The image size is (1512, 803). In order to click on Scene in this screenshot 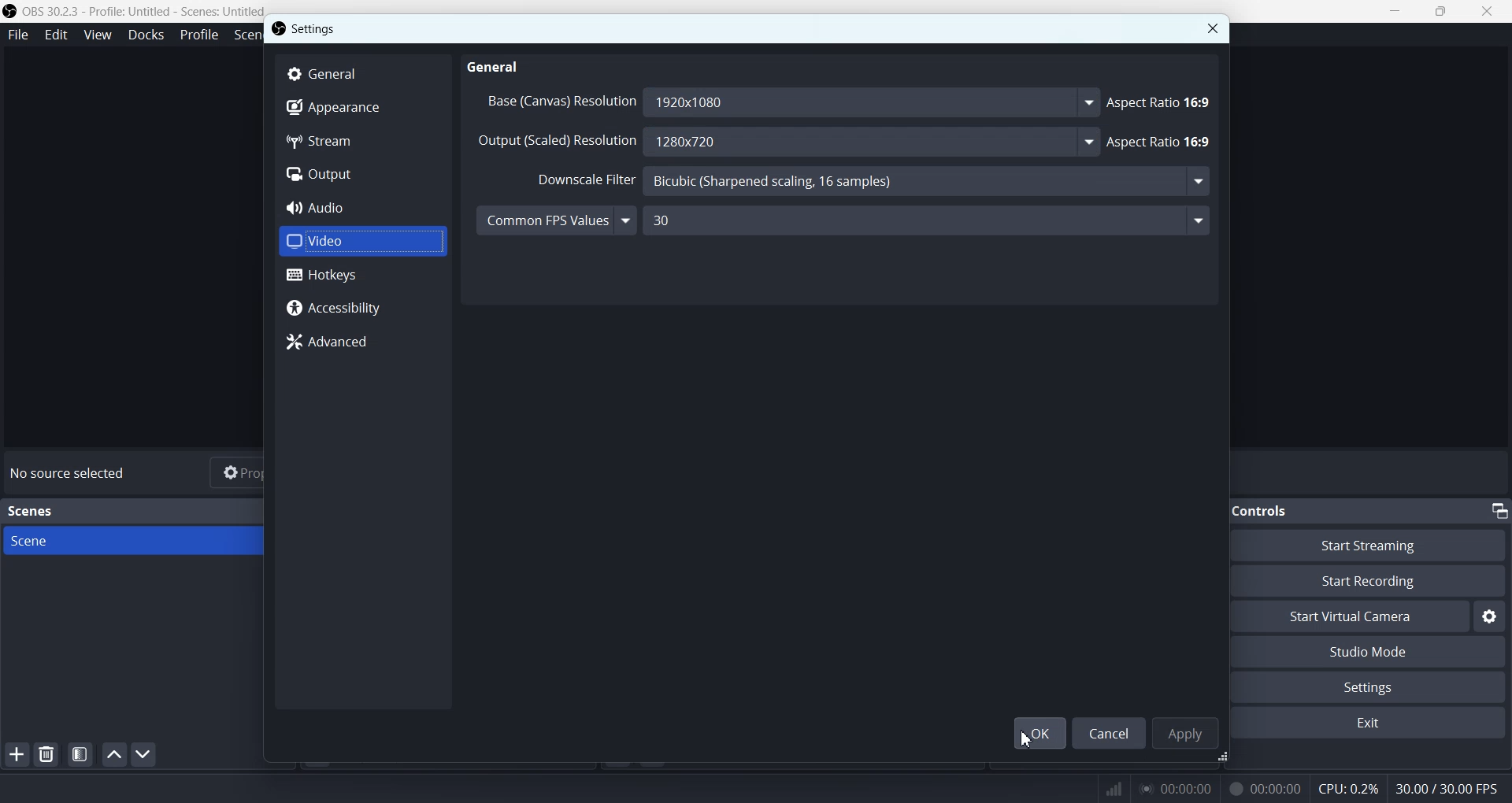, I will do `click(132, 541)`.